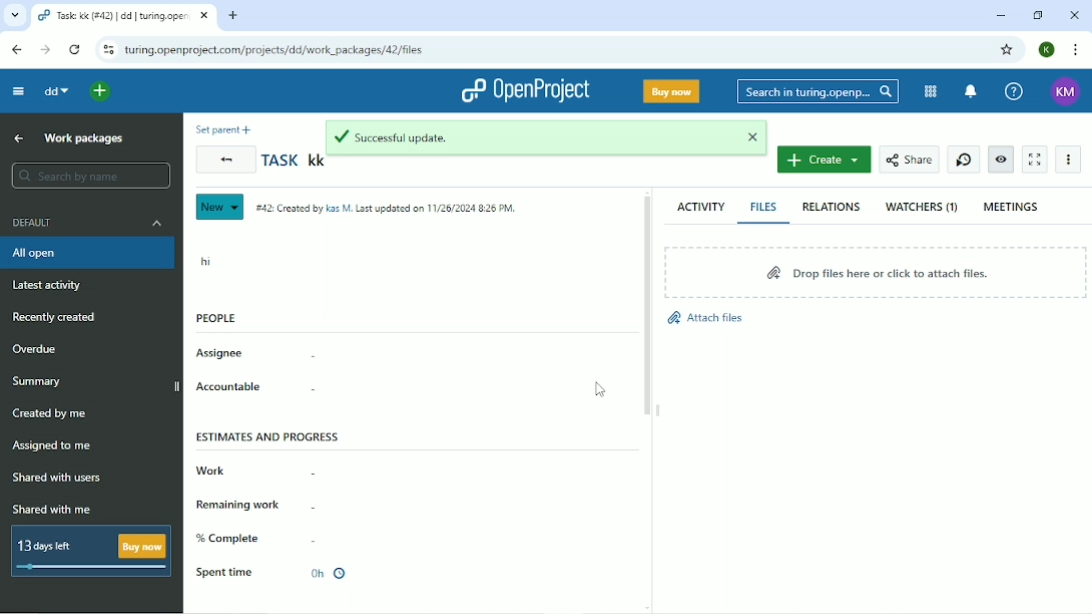 The width and height of the screenshot is (1092, 614). What do you see at coordinates (40, 381) in the screenshot?
I see `Summary` at bounding box center [40, 381].